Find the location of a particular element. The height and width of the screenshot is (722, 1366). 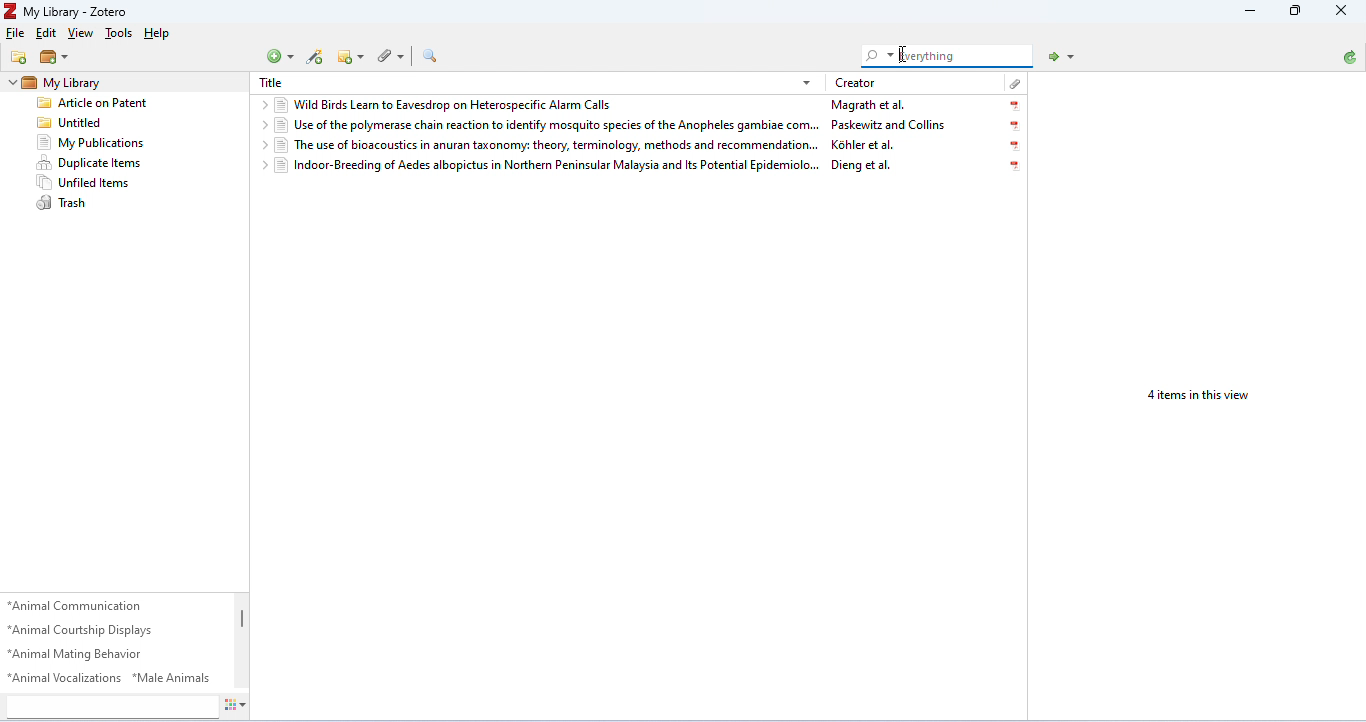

Wild Birds Learn to Eavesdrop on Heterospecific Alarm Calls Magrath et al. is located at coordinates (641, 105).